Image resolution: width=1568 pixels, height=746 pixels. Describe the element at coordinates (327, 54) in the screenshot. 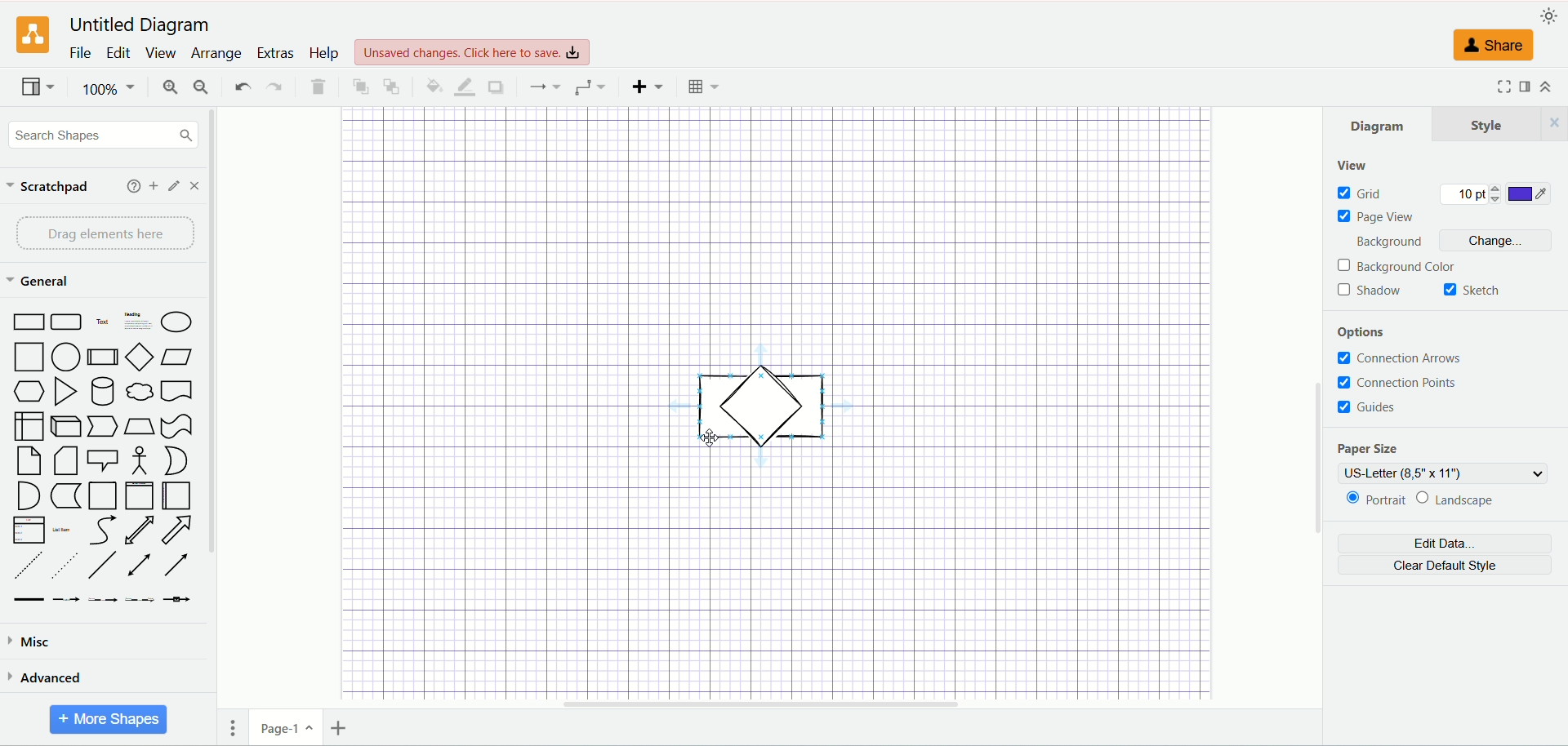

I see `help` at that location.